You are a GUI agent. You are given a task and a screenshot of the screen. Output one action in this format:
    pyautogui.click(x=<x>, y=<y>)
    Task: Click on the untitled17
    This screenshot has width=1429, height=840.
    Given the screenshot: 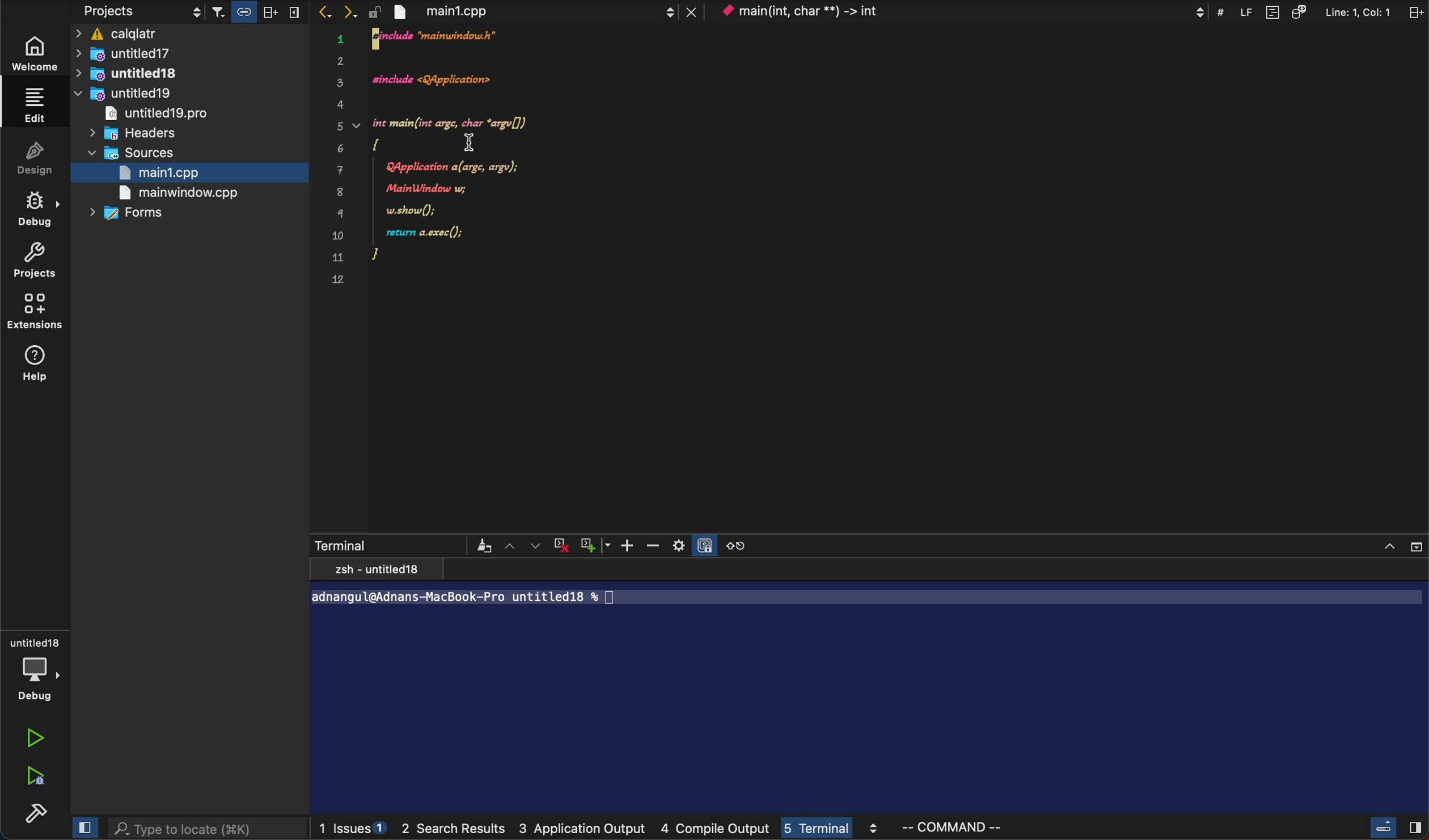 What is the action you would take?
    pyautogui.click(x=151, y=54)
    